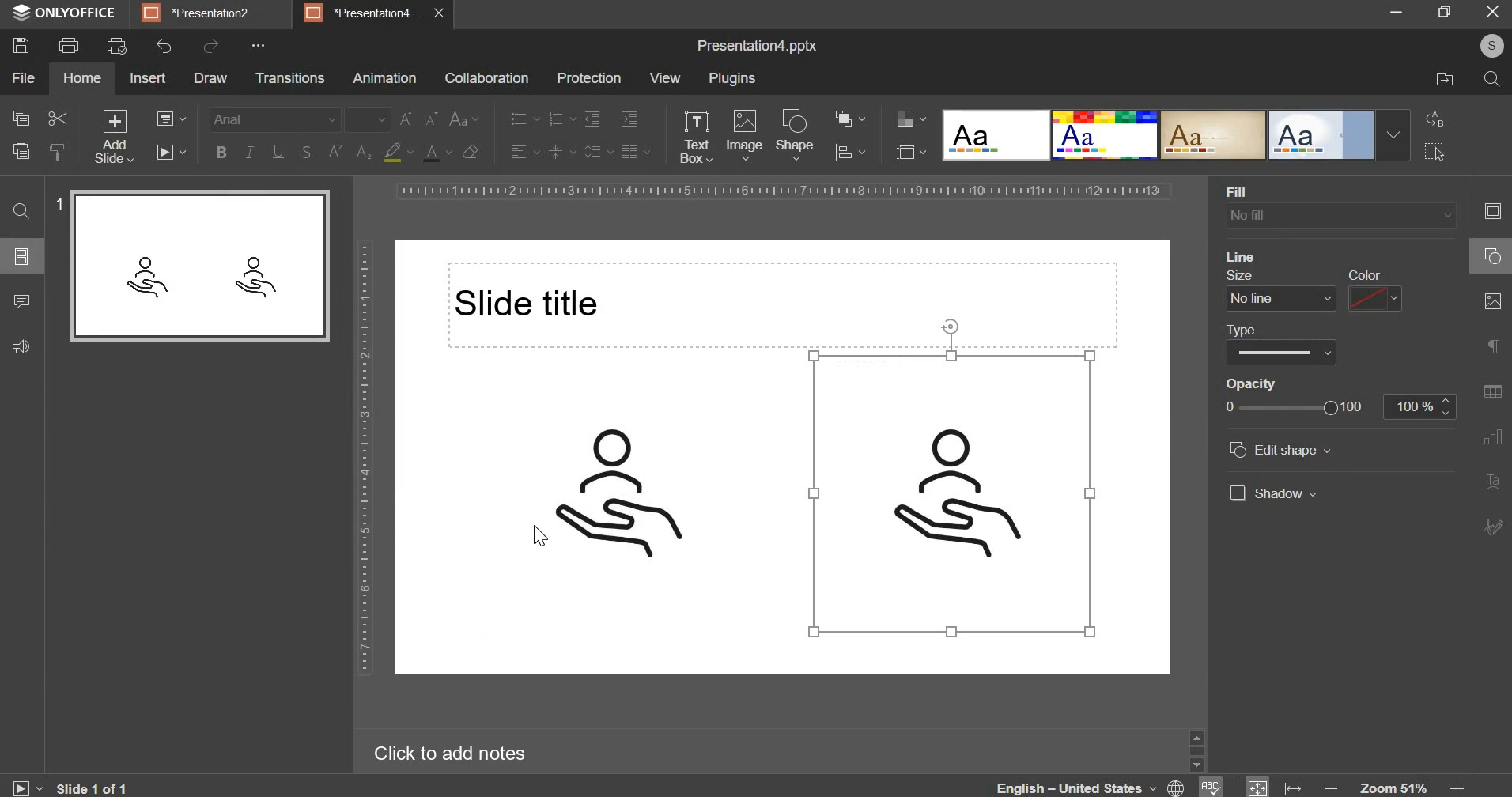 This screenshot has width=1512, height=797. Describe the element at coordinates (385, 79) in the screenshot. I see `animation` at that location.